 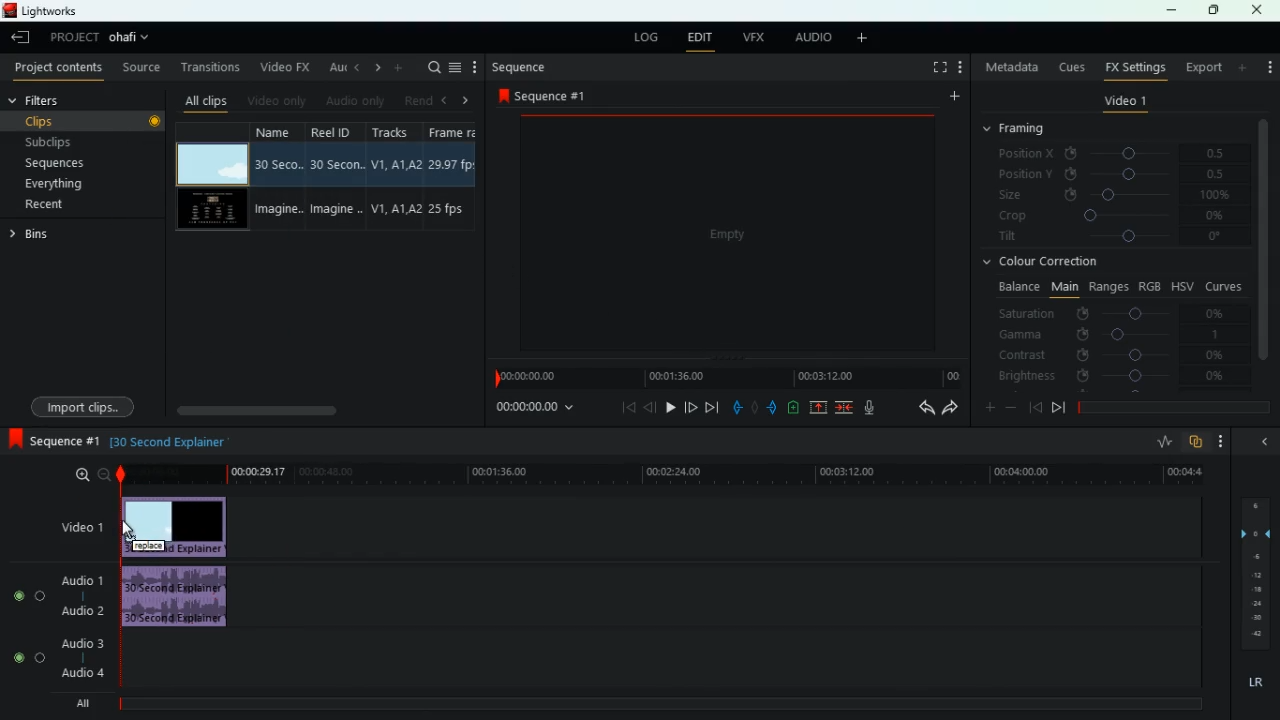 I want to click on left, so click(x=448, y=100).